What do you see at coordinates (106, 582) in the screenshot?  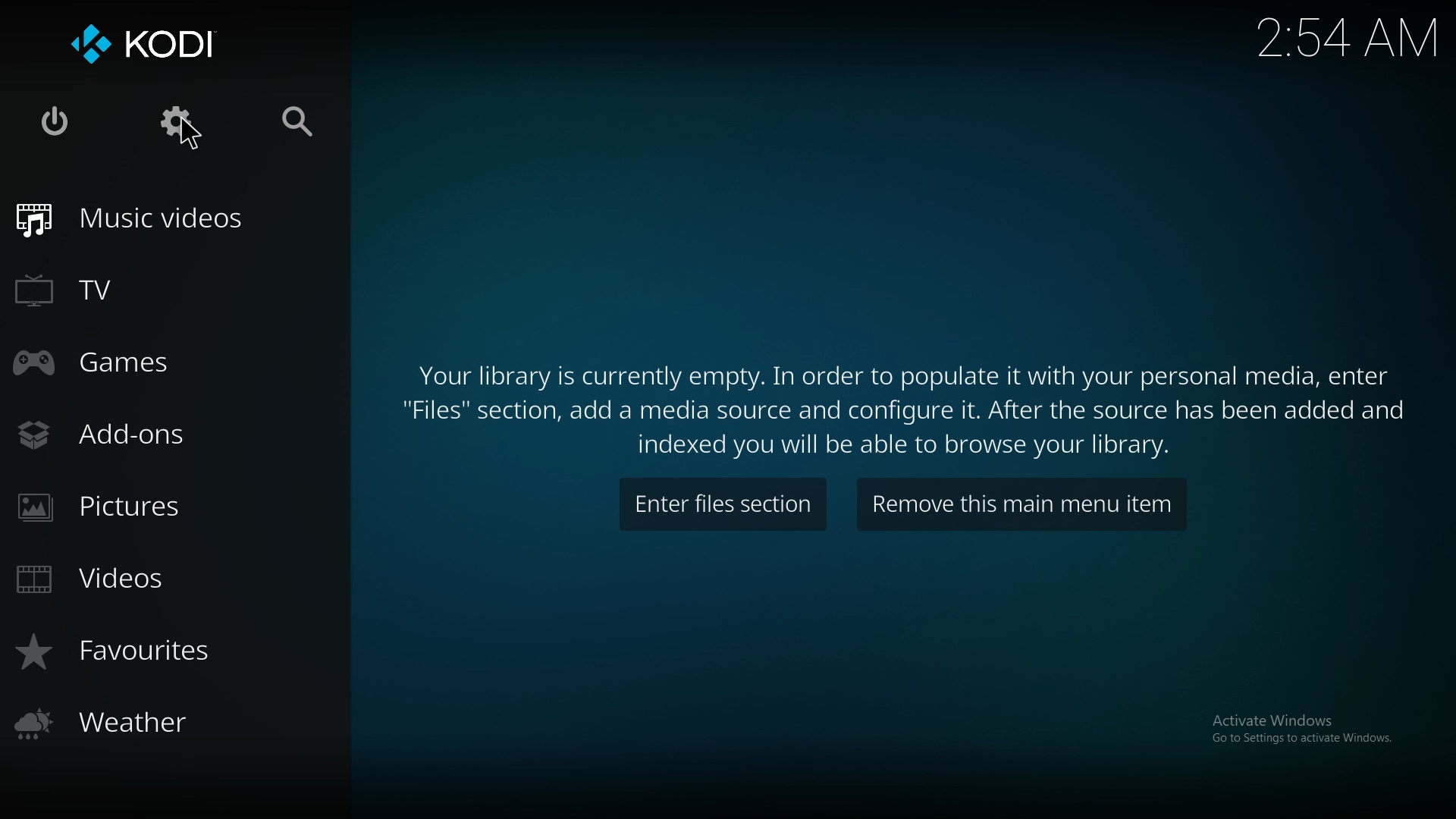 I see `videos` at bounding box center [106, 582].